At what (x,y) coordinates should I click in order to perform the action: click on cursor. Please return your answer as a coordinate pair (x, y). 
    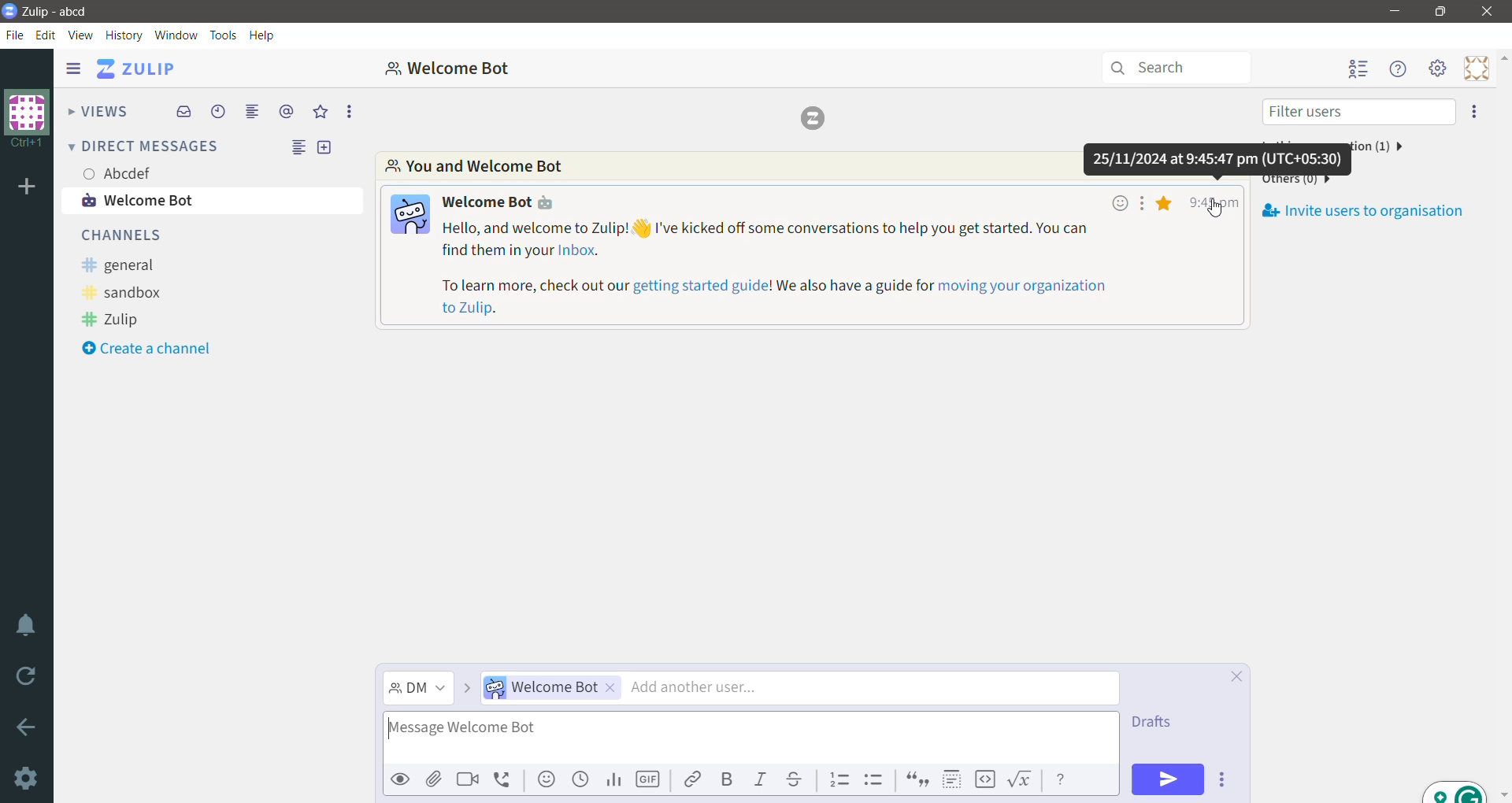
    Looking at the image, I should click on (1218, 212).